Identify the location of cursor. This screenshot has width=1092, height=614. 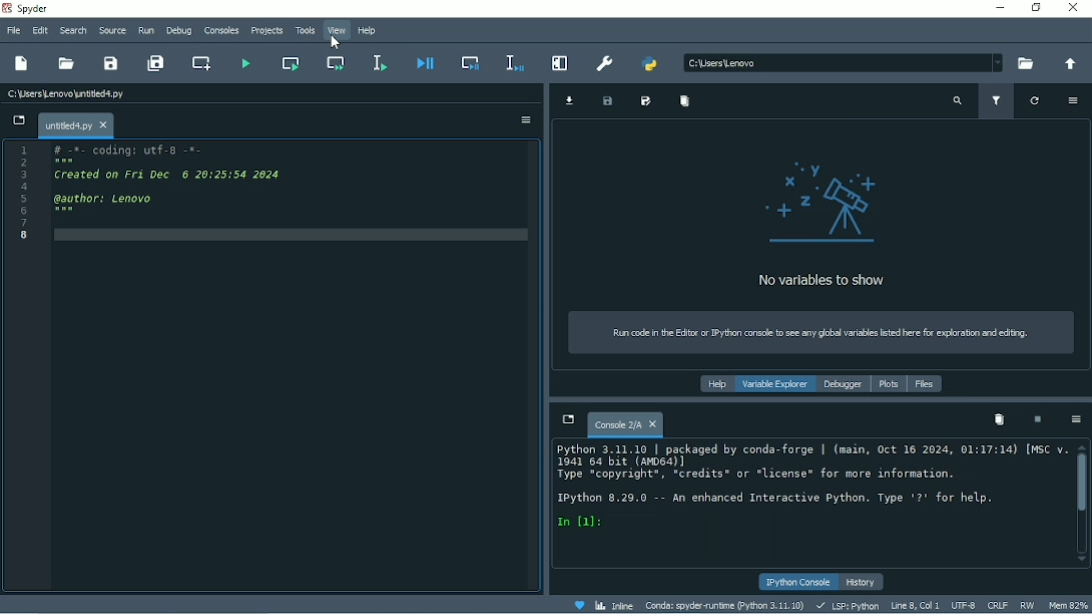
(337, 41).